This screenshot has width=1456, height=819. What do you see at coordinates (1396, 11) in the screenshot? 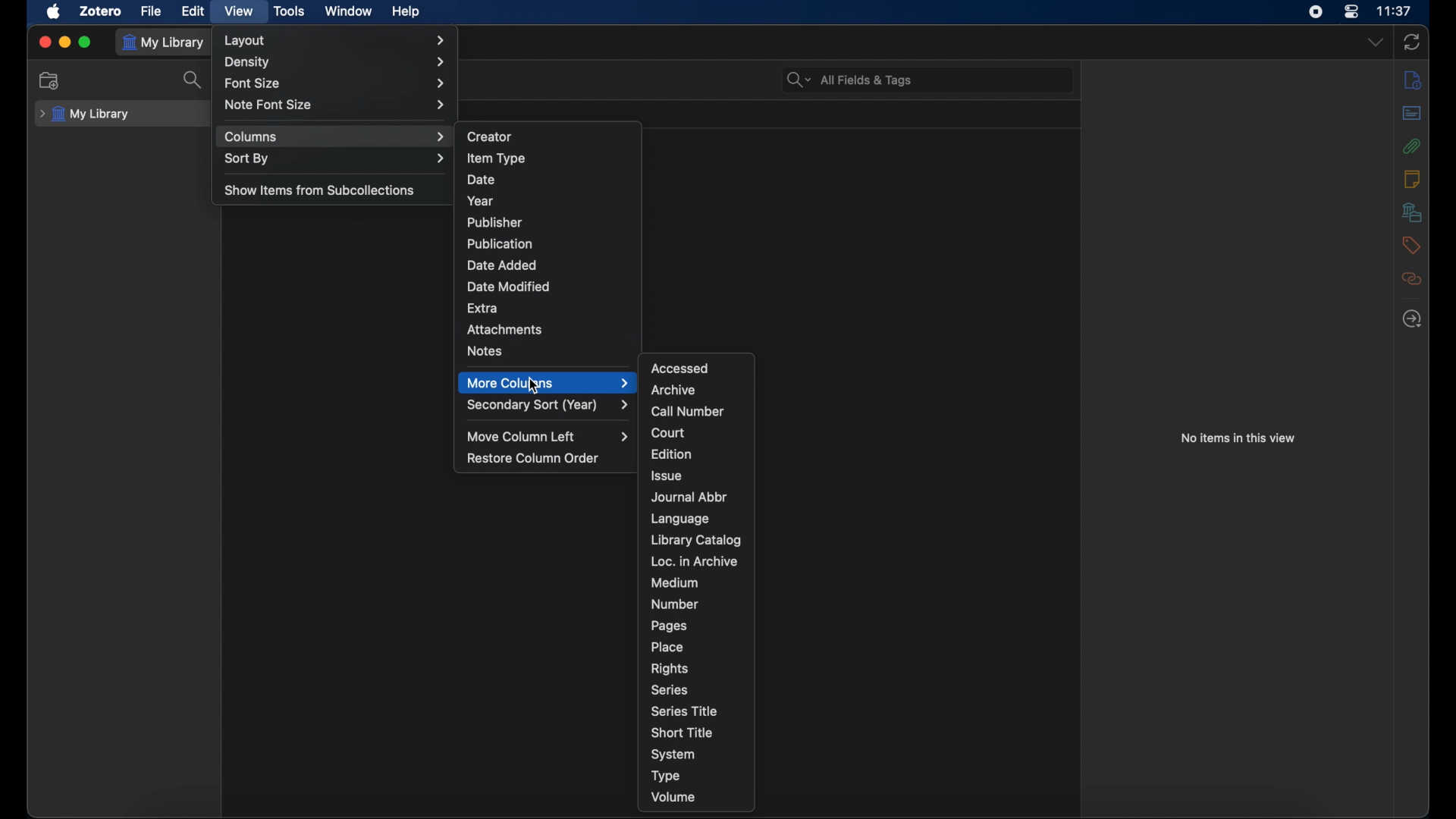
I see `time` at bounding box center [1396, 11].